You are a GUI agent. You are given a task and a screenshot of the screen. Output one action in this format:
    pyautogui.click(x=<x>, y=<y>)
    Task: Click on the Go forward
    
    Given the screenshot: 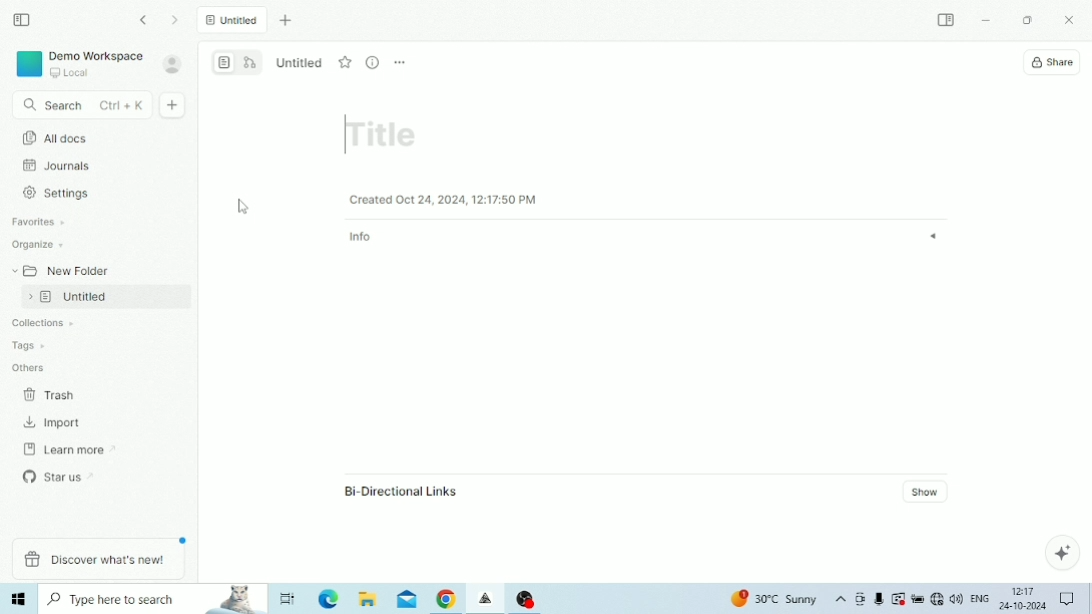 What is the action you would take?
    pyautogui.click(x=176, y=20)
    